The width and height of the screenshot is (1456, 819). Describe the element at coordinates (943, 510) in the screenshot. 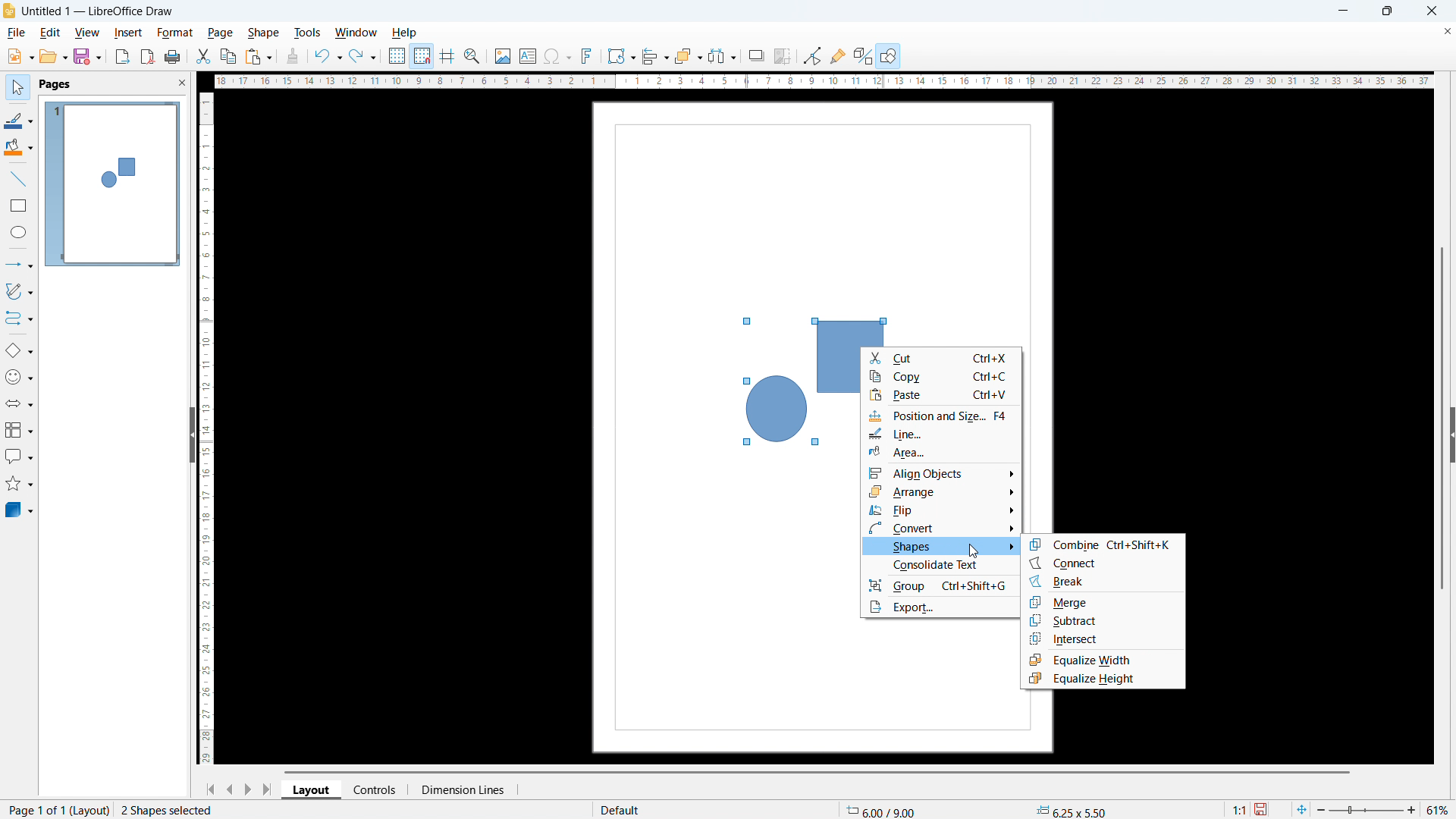

I see `flip` at that location.